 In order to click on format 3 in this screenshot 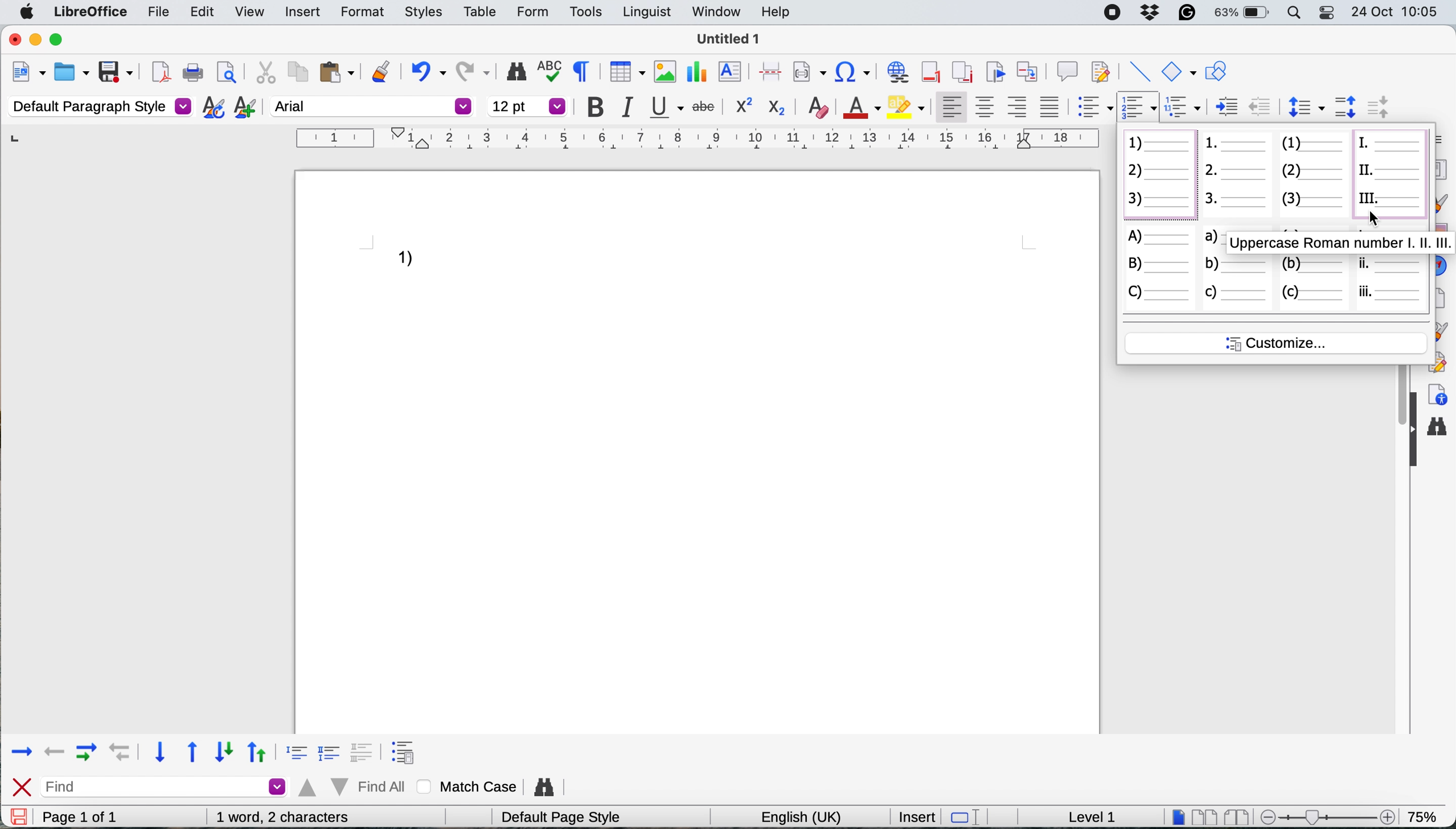, I will do `click(366, 749)`.